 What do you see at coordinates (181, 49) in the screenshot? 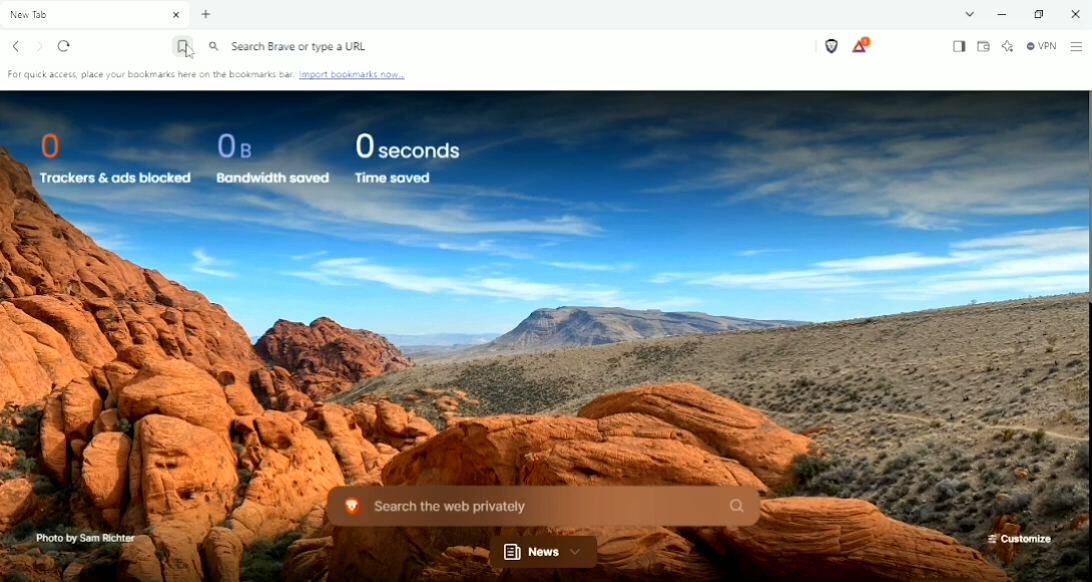
I see `Bookmark this tab` at bounding box center [181, 49].